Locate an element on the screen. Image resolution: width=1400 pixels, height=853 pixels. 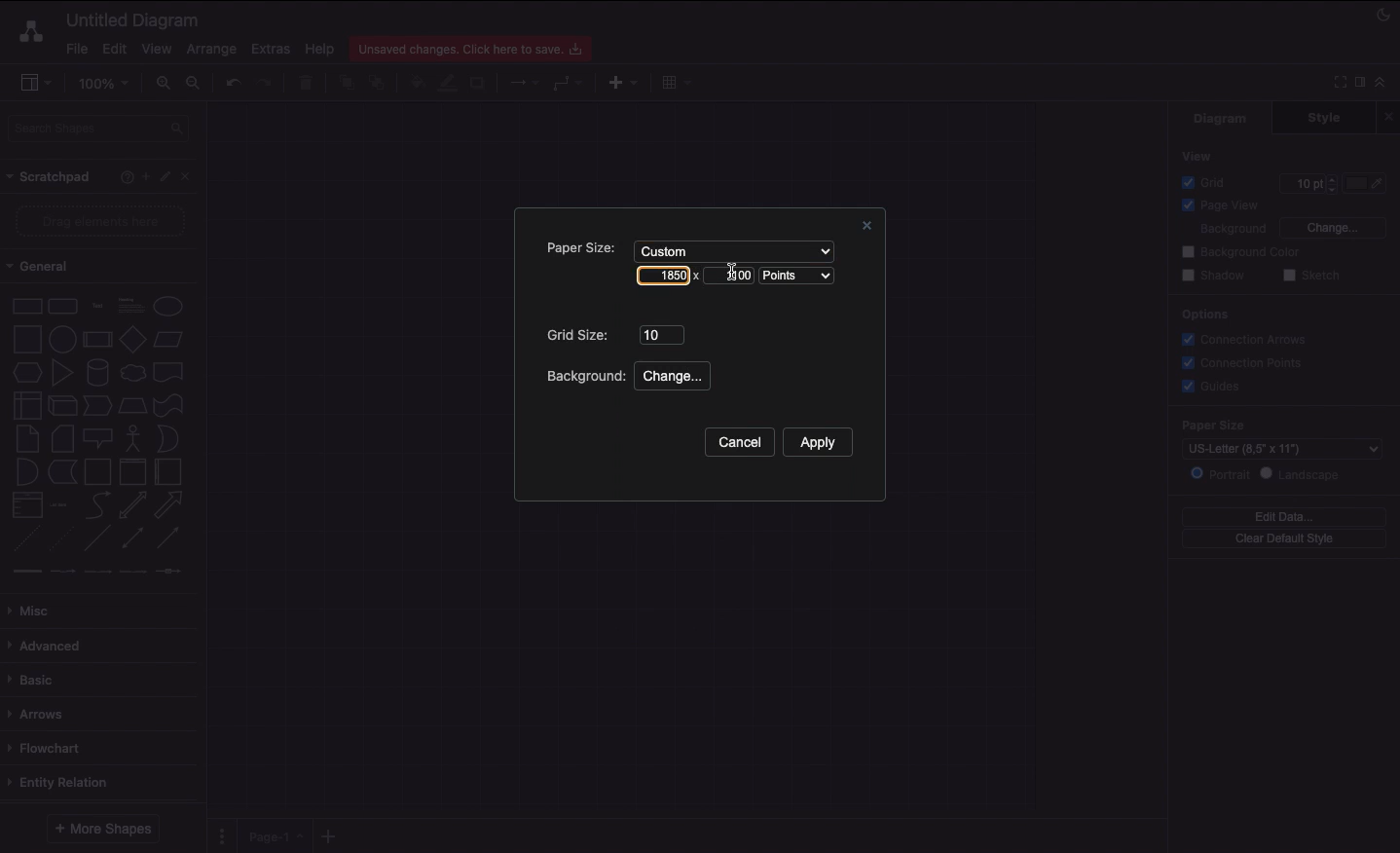
Rectangle is located at coordinates (25, 305).